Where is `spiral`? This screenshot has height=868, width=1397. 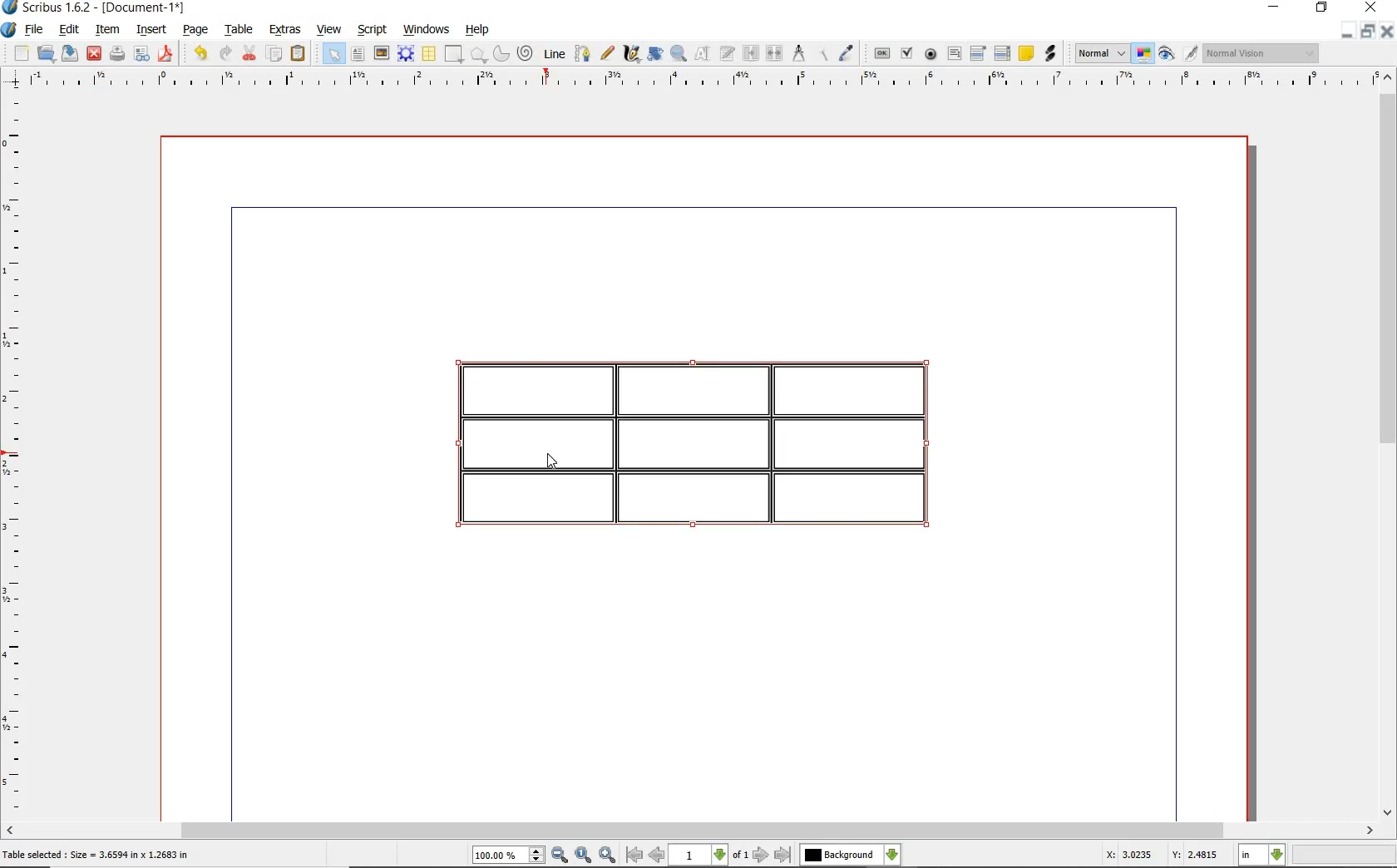 spiral is located at coordinates (526, 54).